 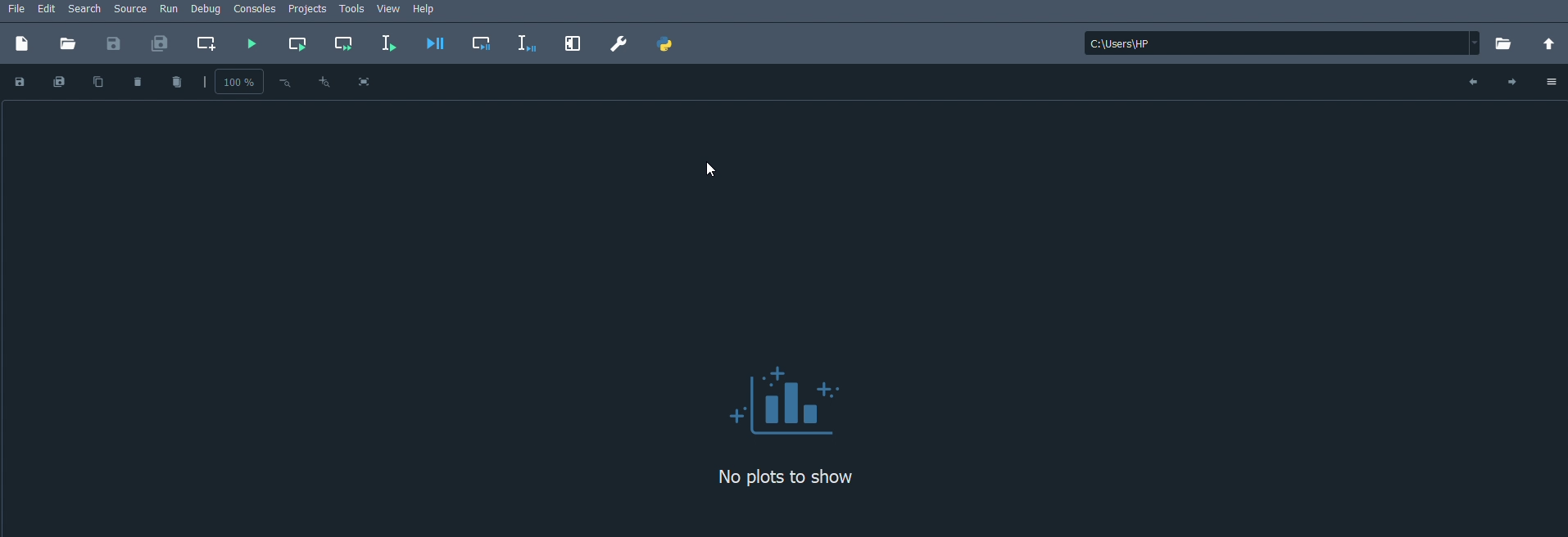 I want to click on Search, so click(x=86, y=9).